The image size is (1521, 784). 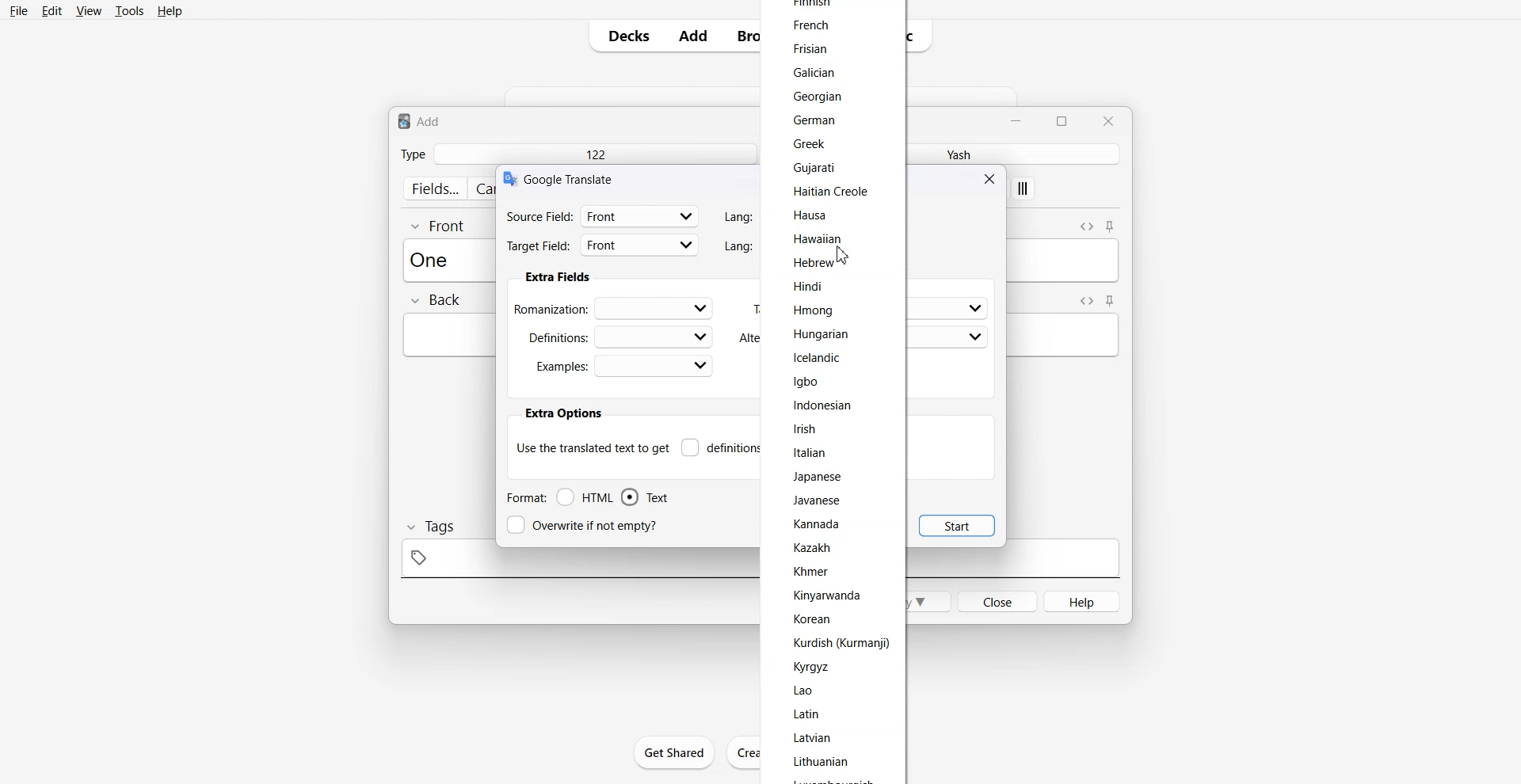 What do you see at coordinates (810, 213) in the screenshot?
I see `Hausa` at bounding box center [810, 213].